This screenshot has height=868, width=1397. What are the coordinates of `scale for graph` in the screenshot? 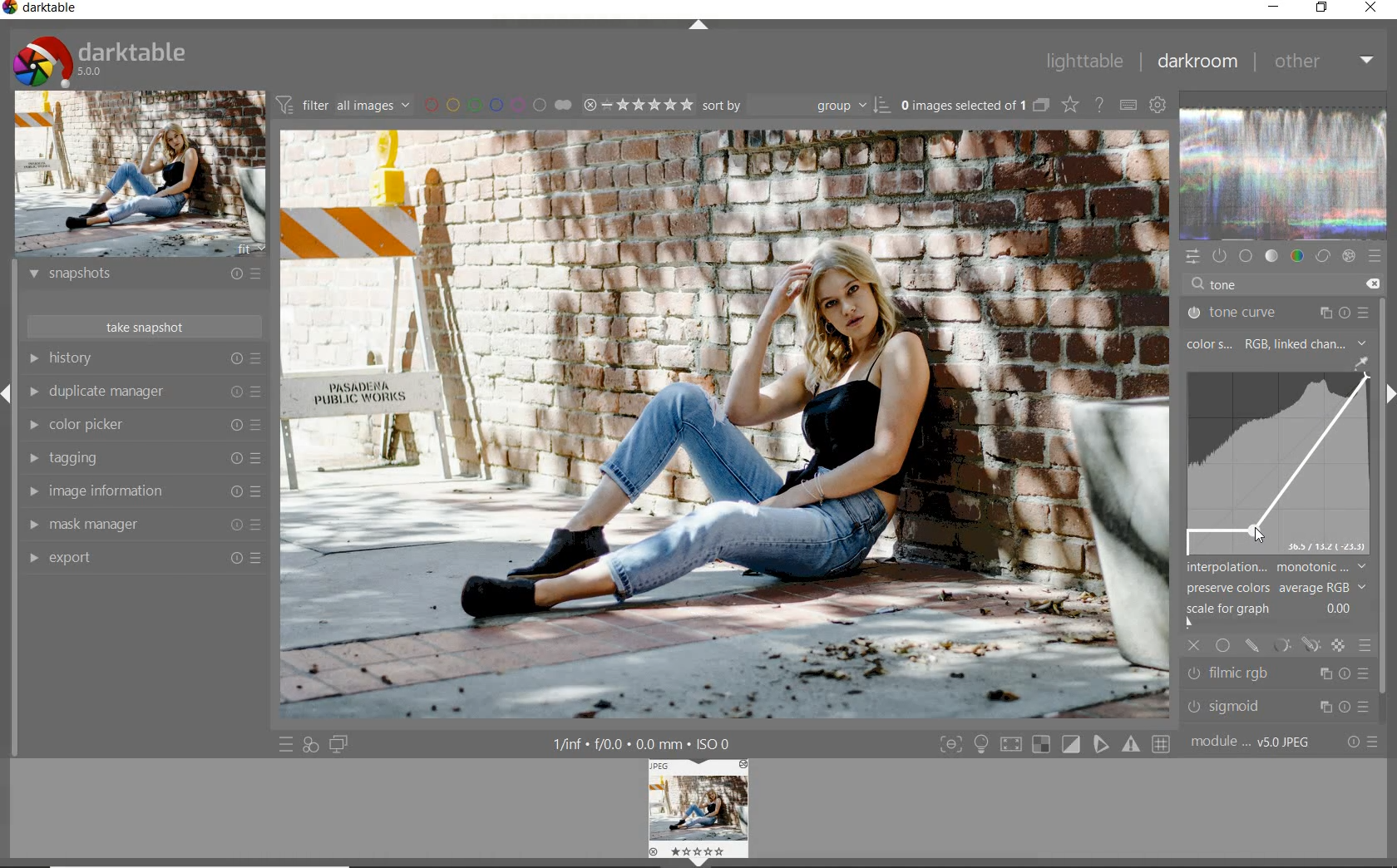 It's located at (1269, 614).